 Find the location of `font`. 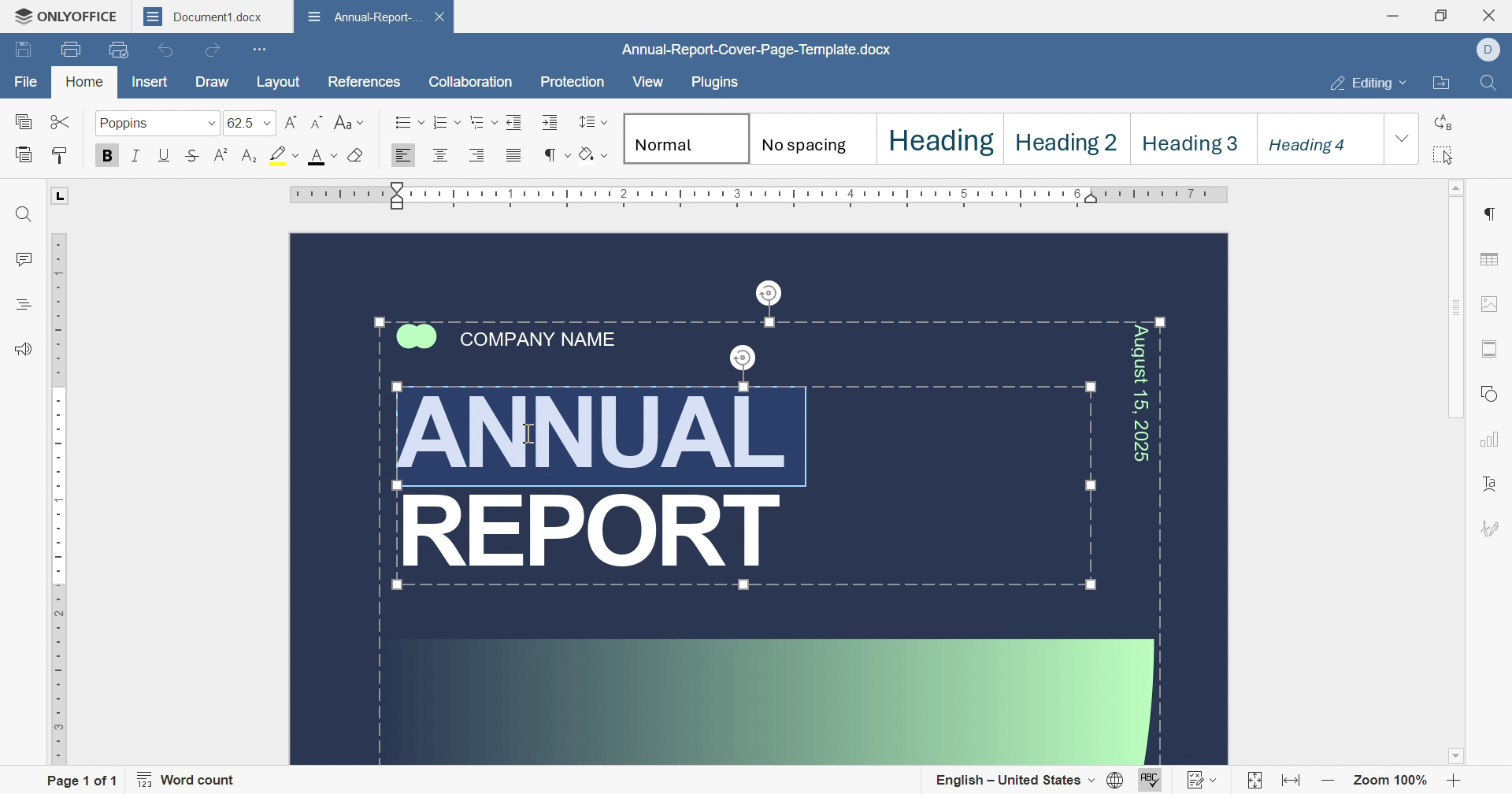

font is located at coordinates (324, 156).